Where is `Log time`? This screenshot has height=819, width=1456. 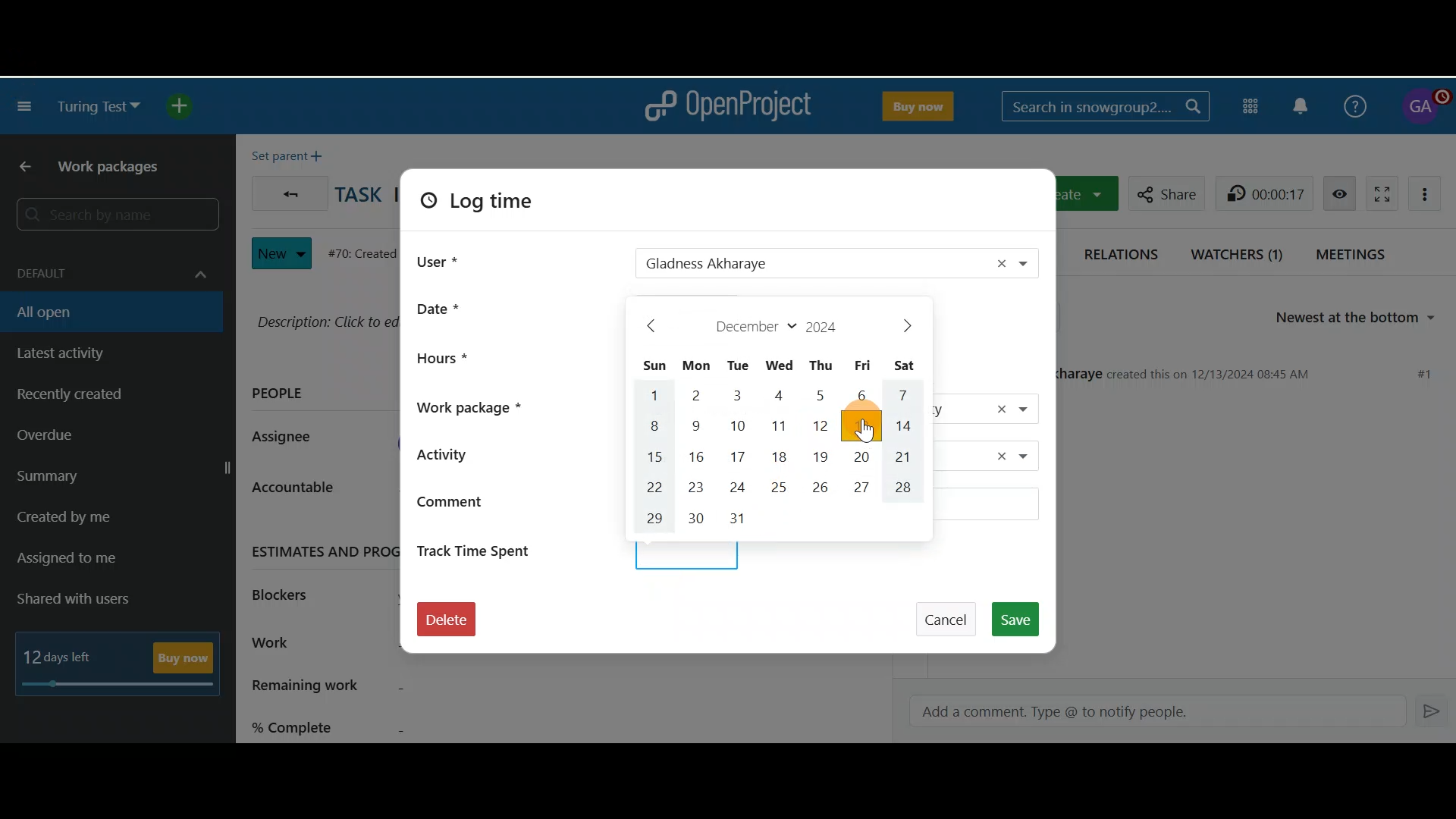 Log time is located at coordinates (499, 206).